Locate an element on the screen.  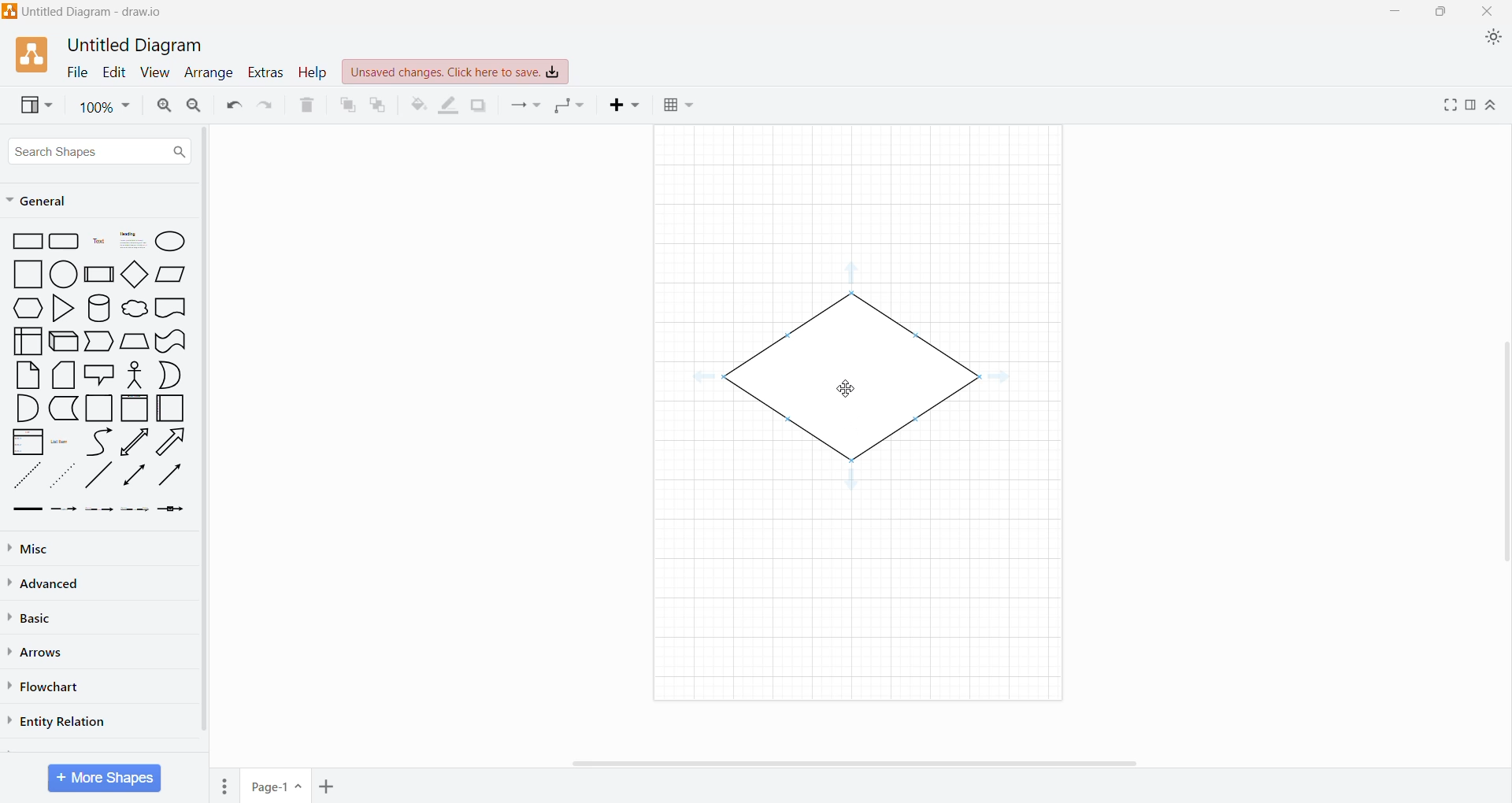
Misc is located at coordinates (49, 550).